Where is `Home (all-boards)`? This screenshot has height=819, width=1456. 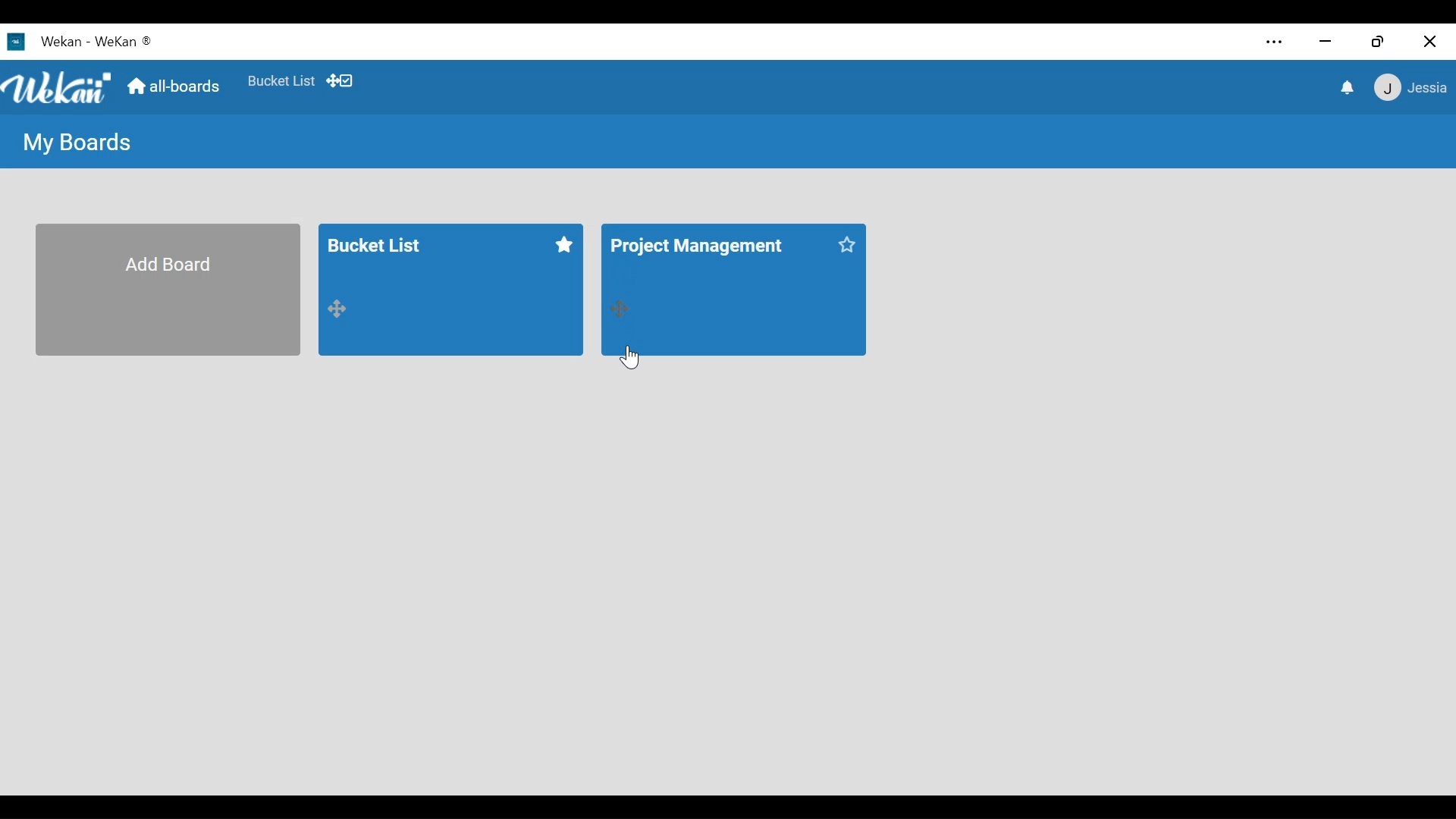
Home (all-boards) is located at coordinates (175, 86).